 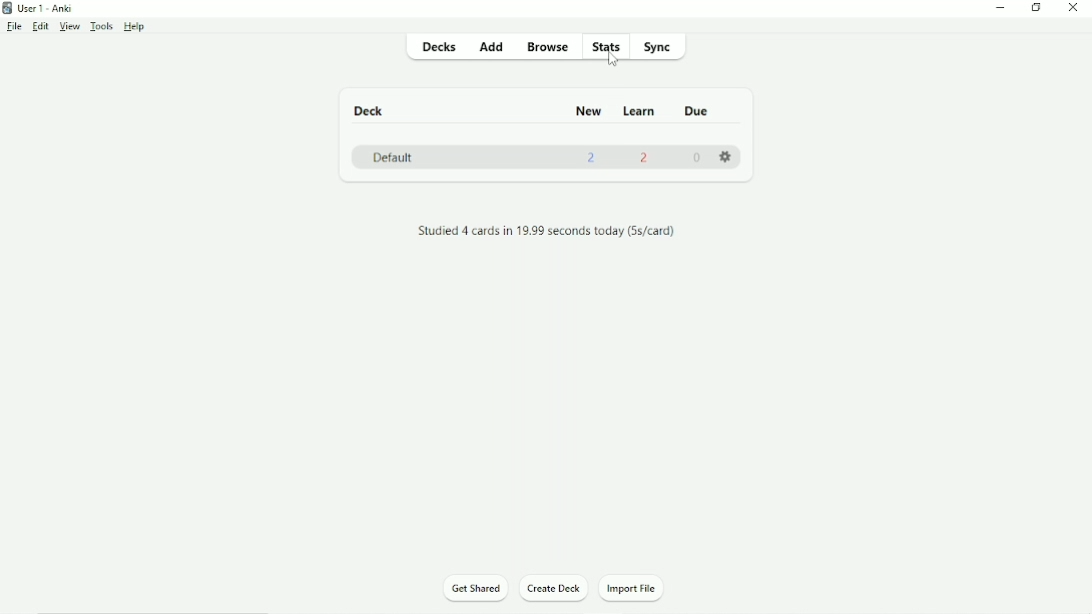 I want to click on Create Deck, so click(x=555, y=589).